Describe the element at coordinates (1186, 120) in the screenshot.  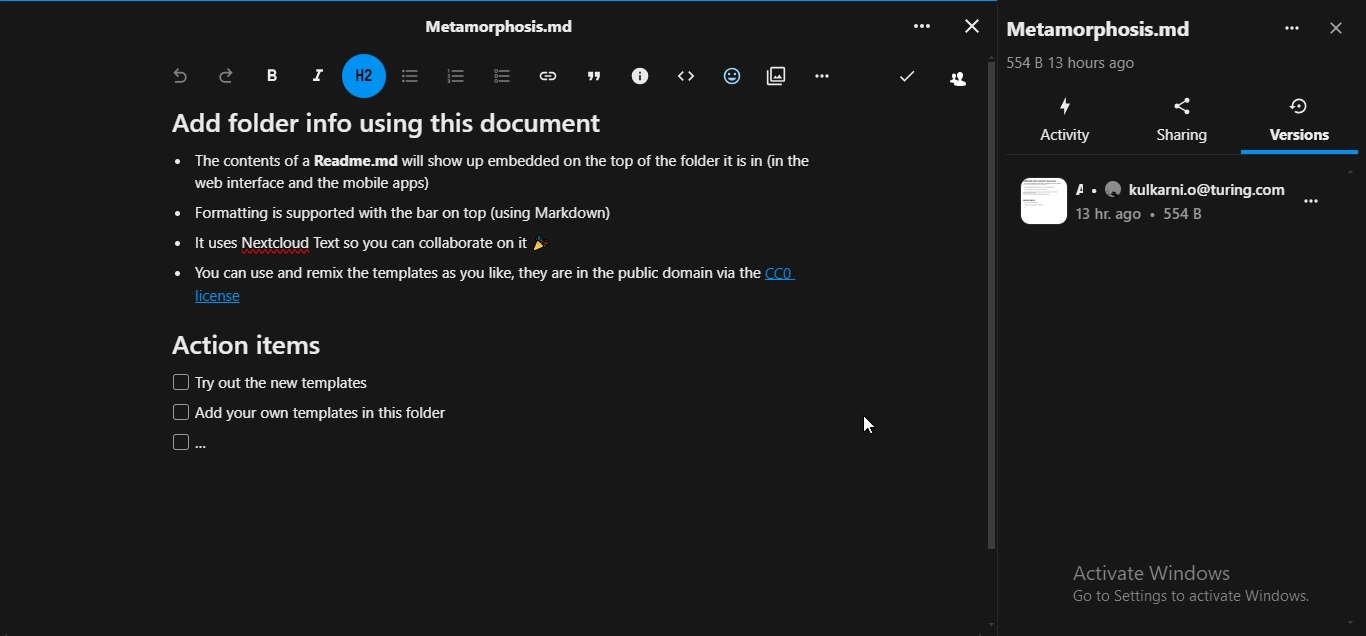
I see `sharing` at that location.